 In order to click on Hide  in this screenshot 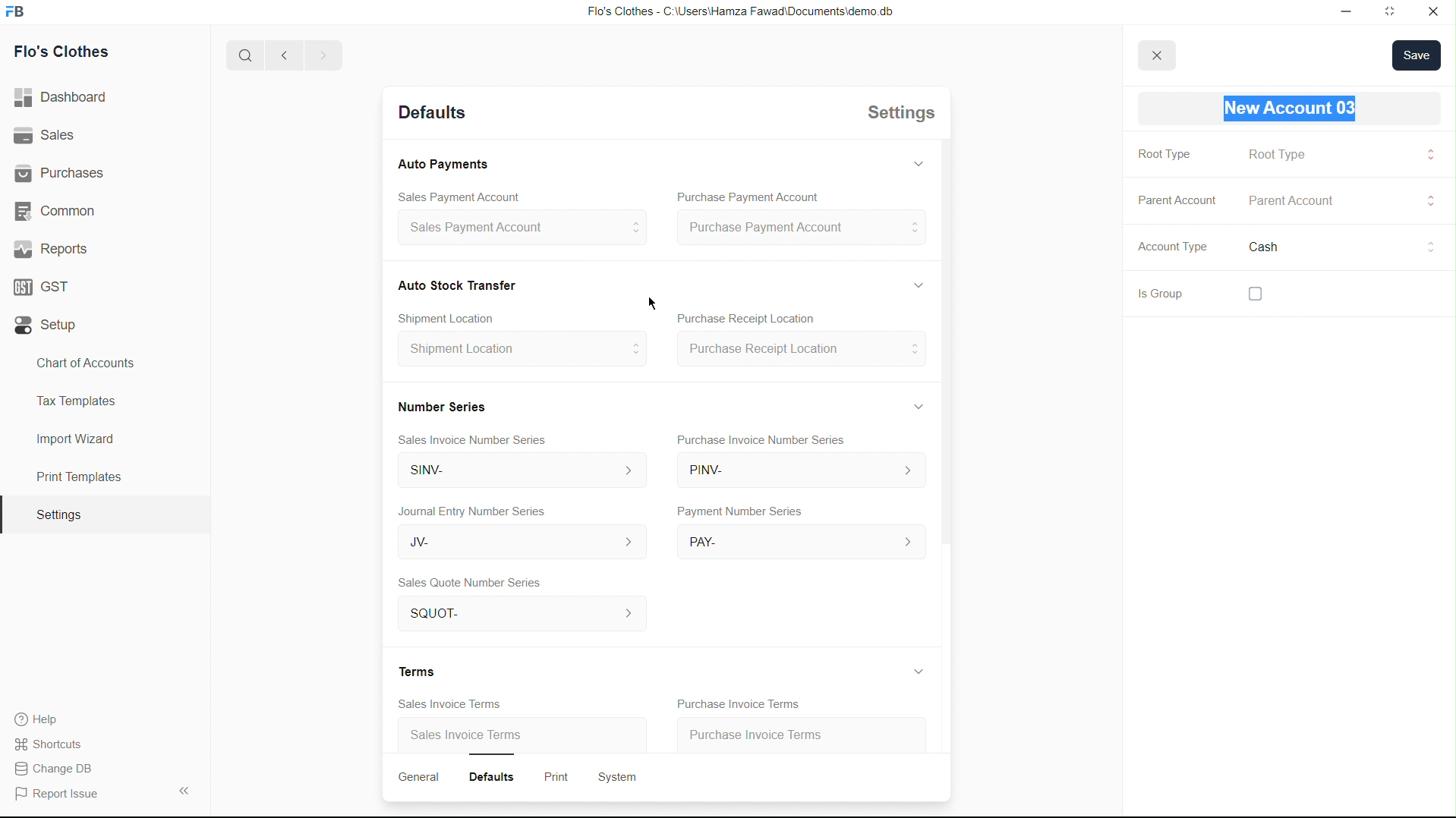, I will do `click(918, 405)`.